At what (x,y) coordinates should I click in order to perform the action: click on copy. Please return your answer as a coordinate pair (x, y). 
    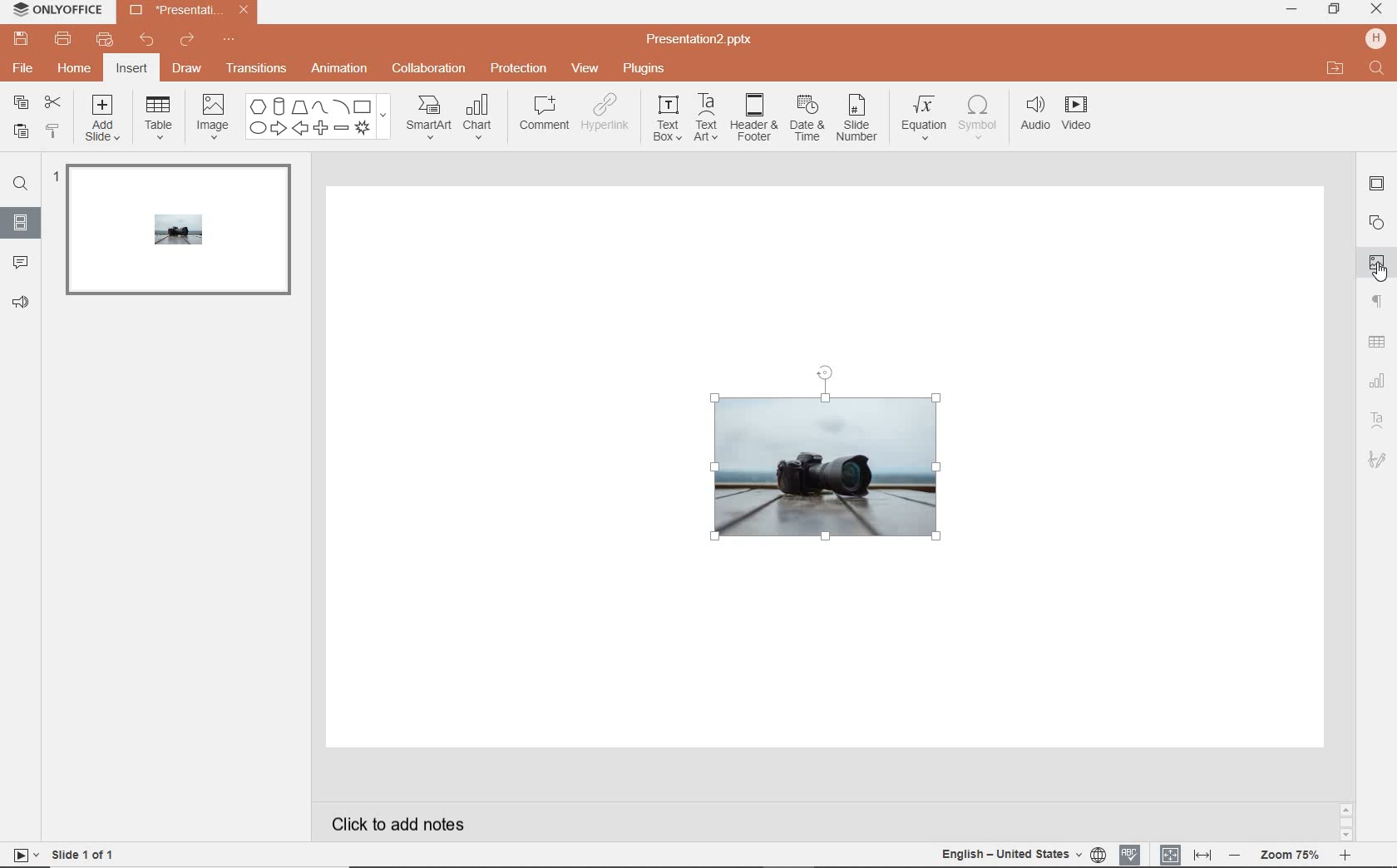
    Looking at the image, I should click on (21, 101).